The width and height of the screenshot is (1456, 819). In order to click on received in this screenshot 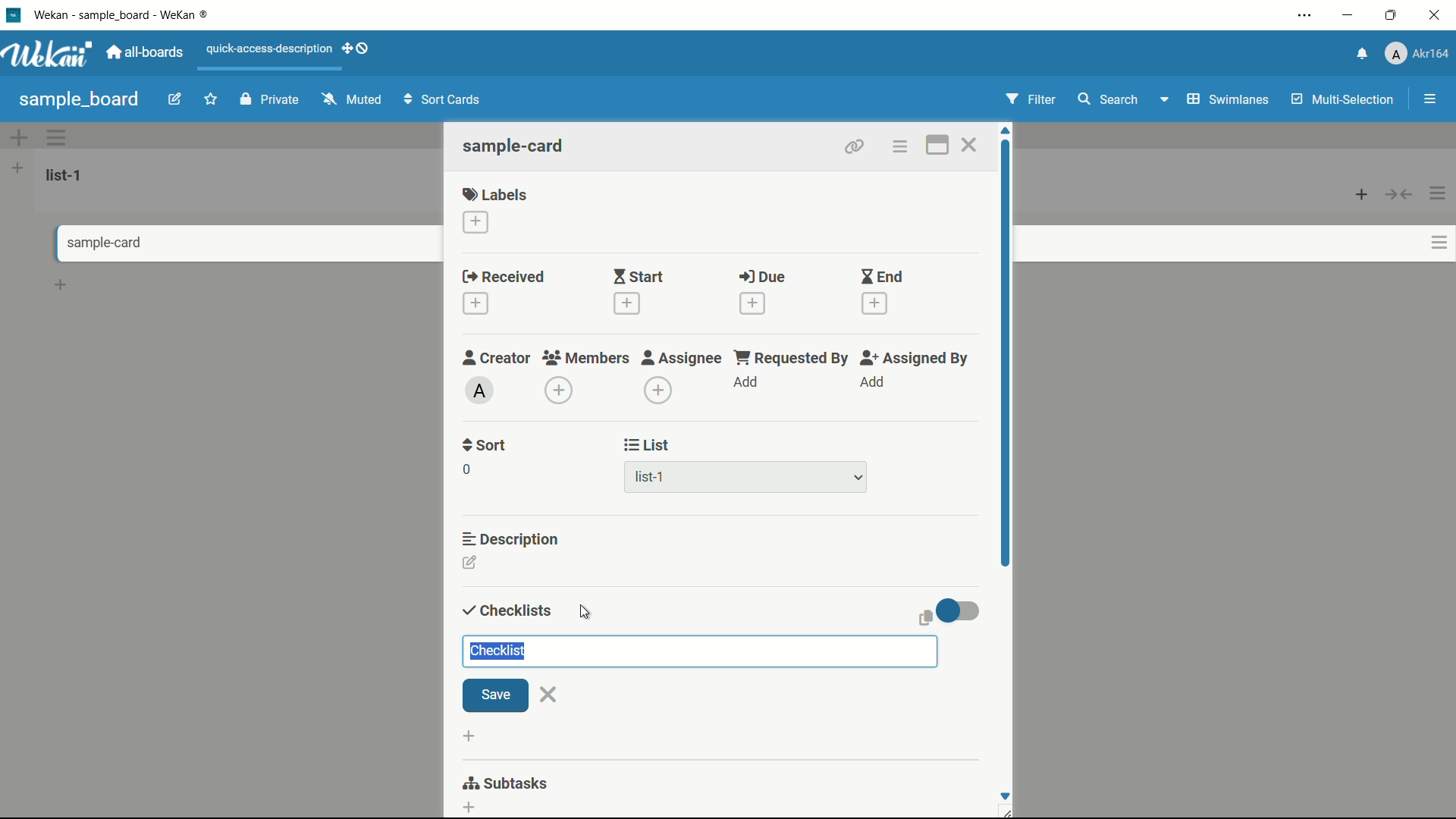, I will do `click(504, 278)`.